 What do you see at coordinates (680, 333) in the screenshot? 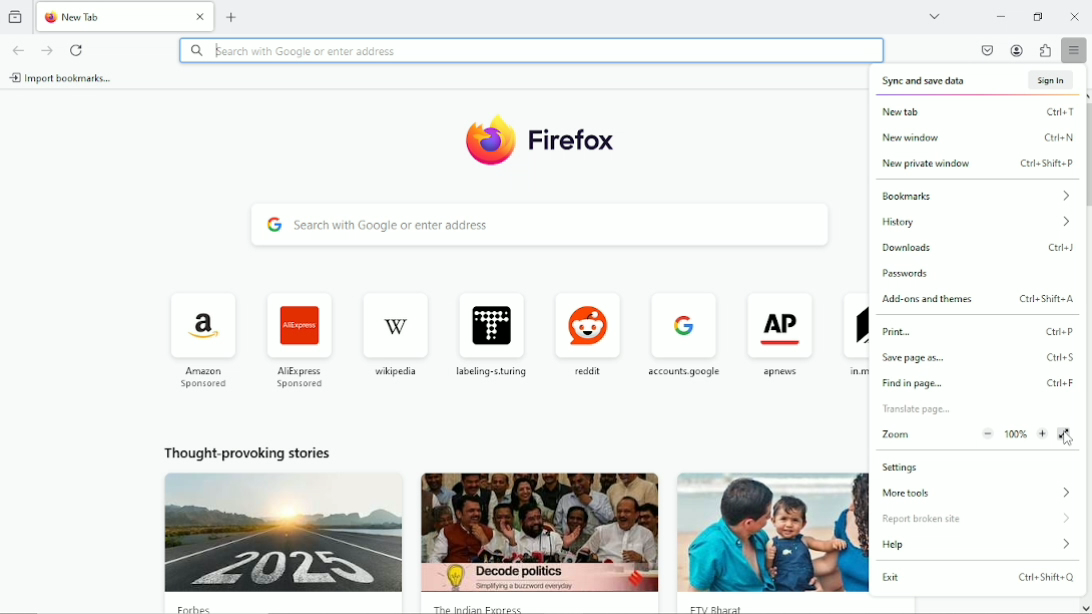
I see `accounts google` at bounding box center [680, 333].